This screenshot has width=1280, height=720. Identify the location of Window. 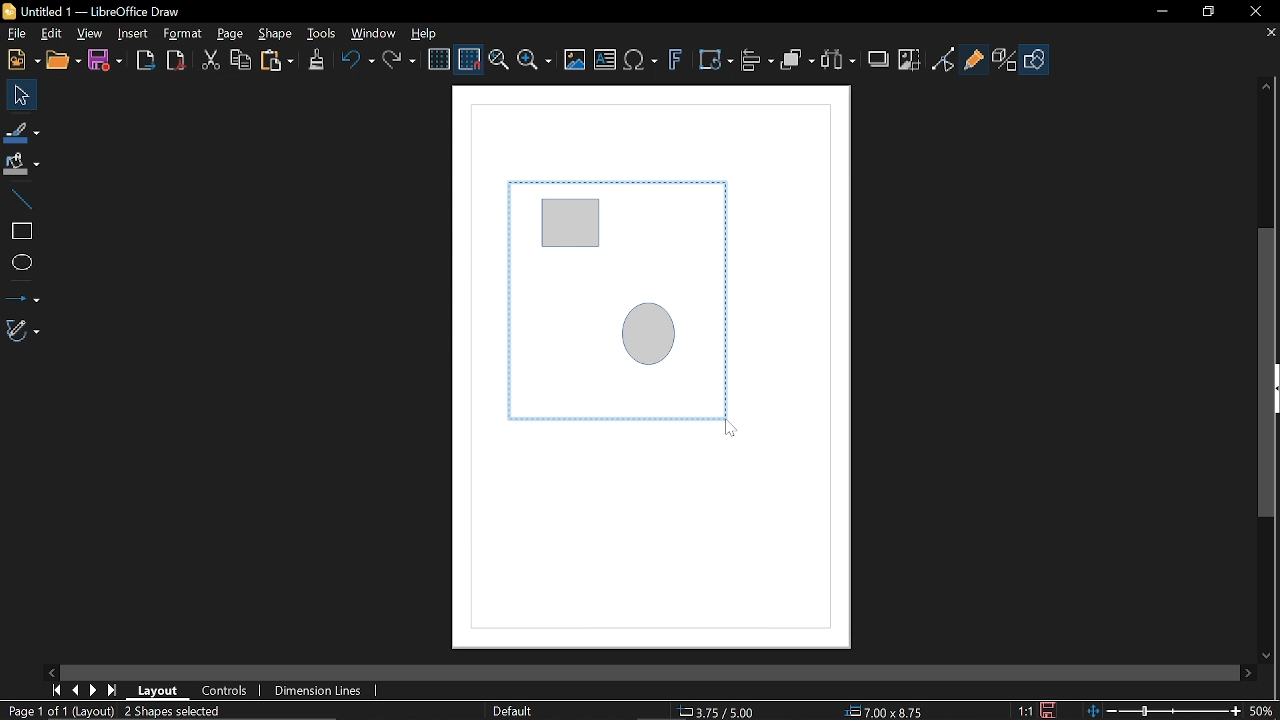
(374, 35).